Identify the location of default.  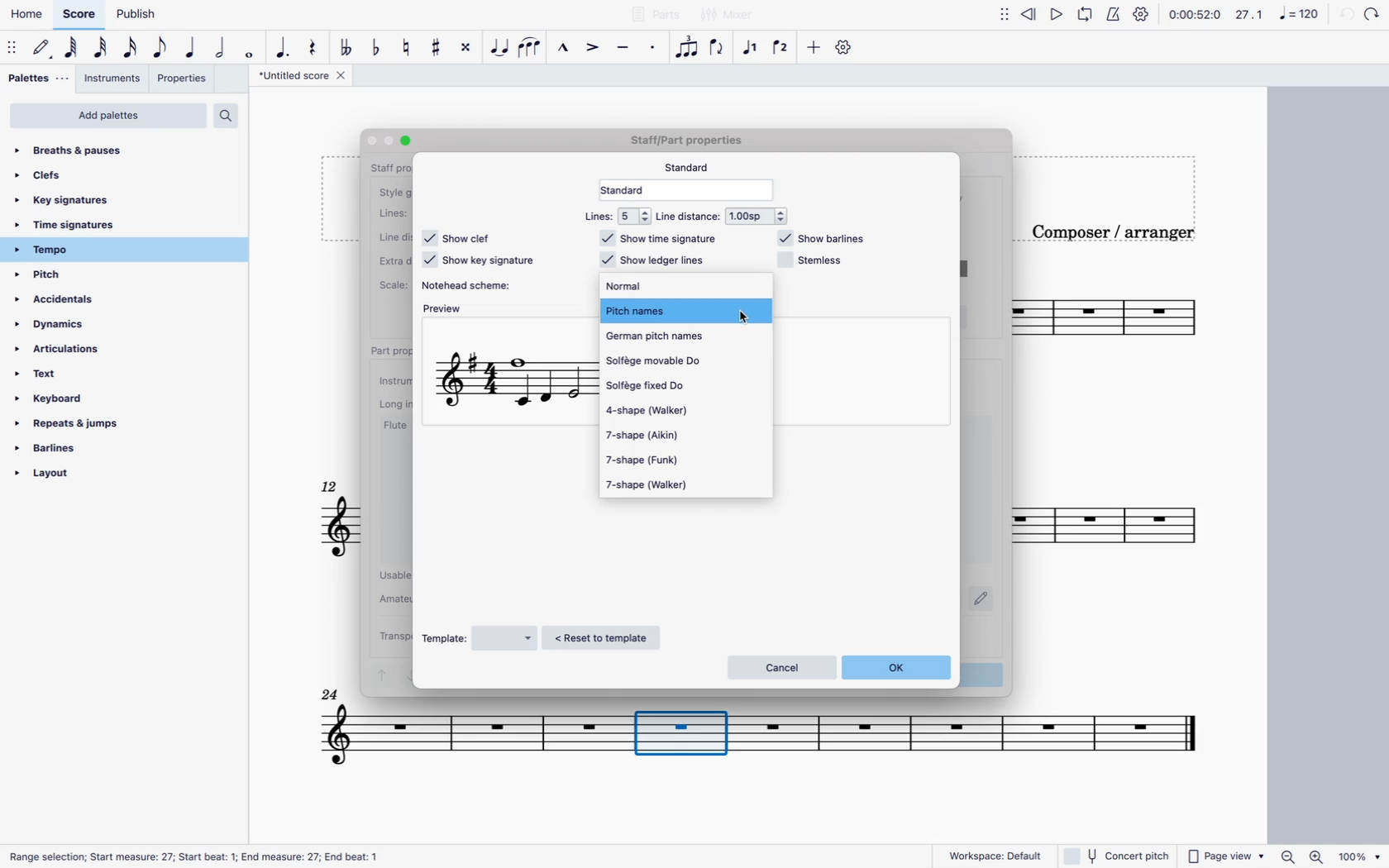
(43, 46).